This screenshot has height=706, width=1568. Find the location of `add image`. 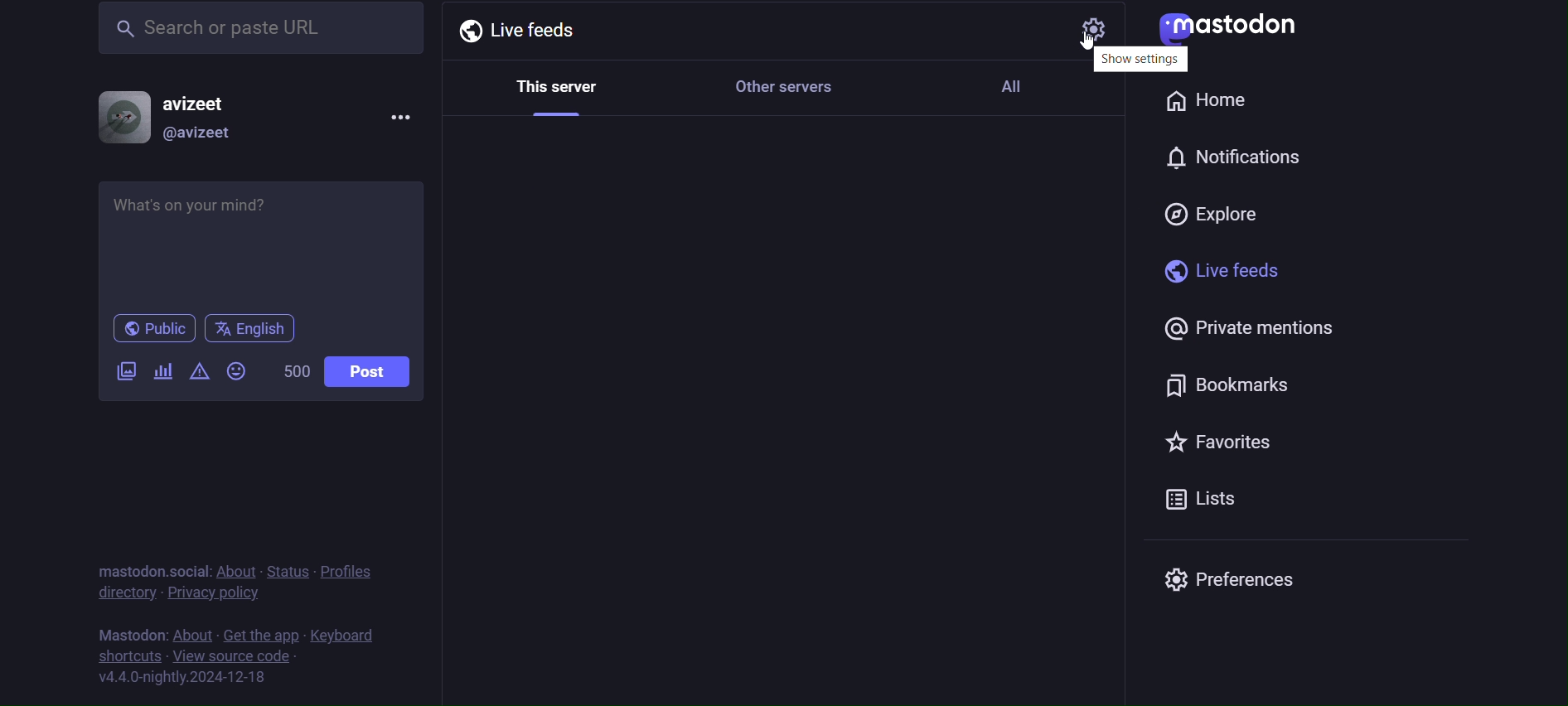

add image is located at coordinates (123, 372).